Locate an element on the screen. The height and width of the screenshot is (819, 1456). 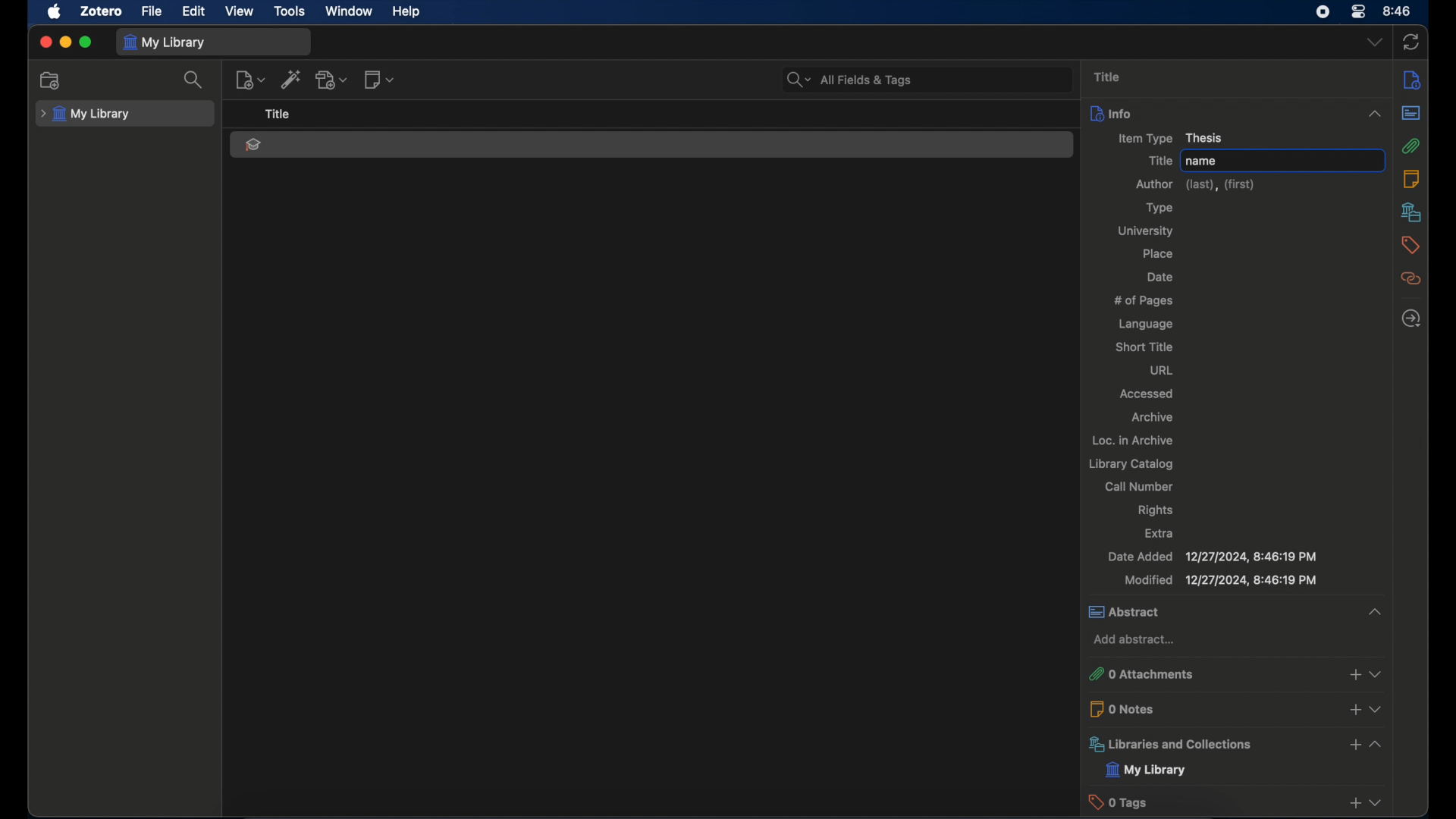
my library is located at coordinates (170, 41).